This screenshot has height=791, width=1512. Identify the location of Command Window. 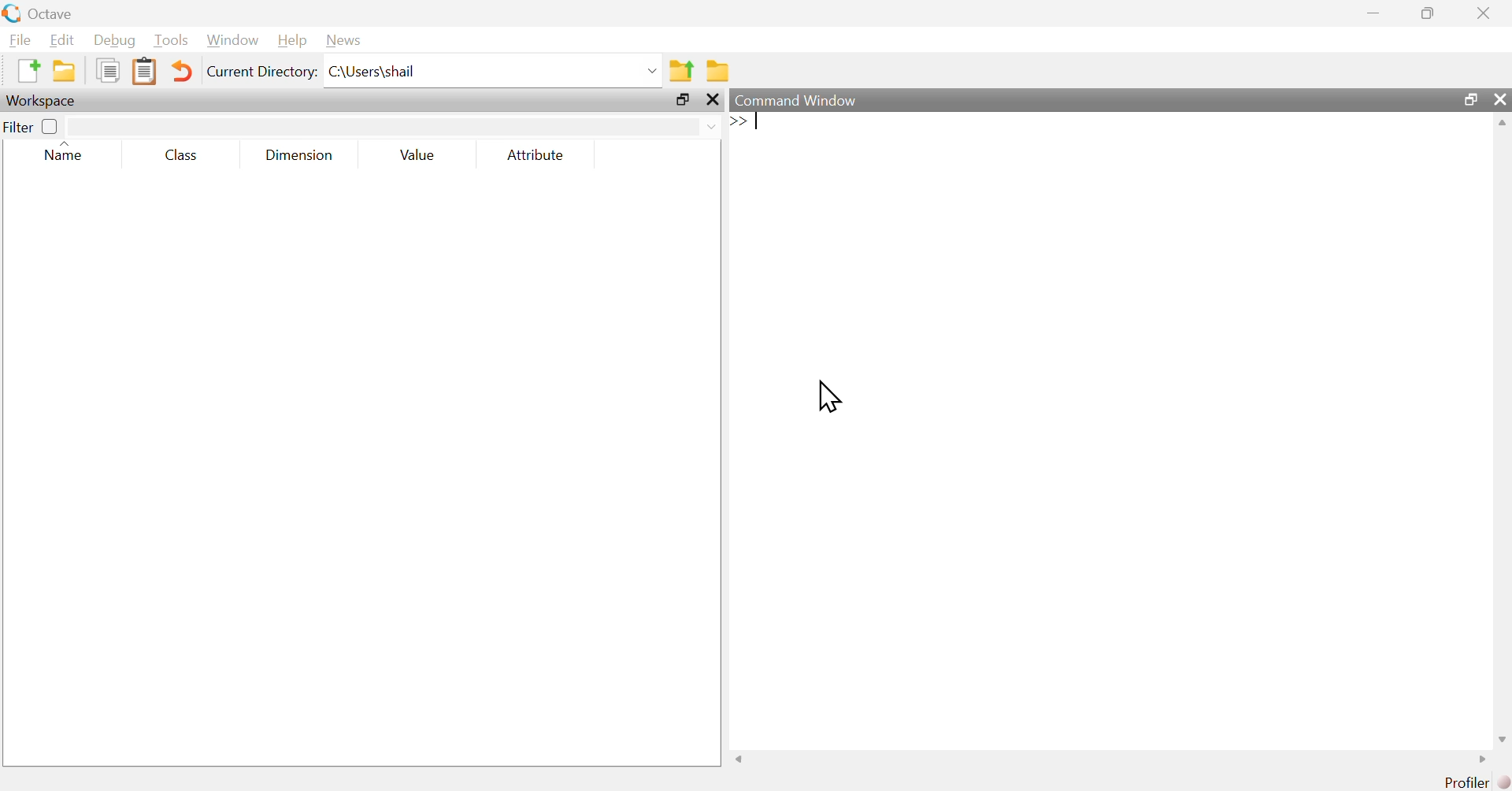
(1060, 100).